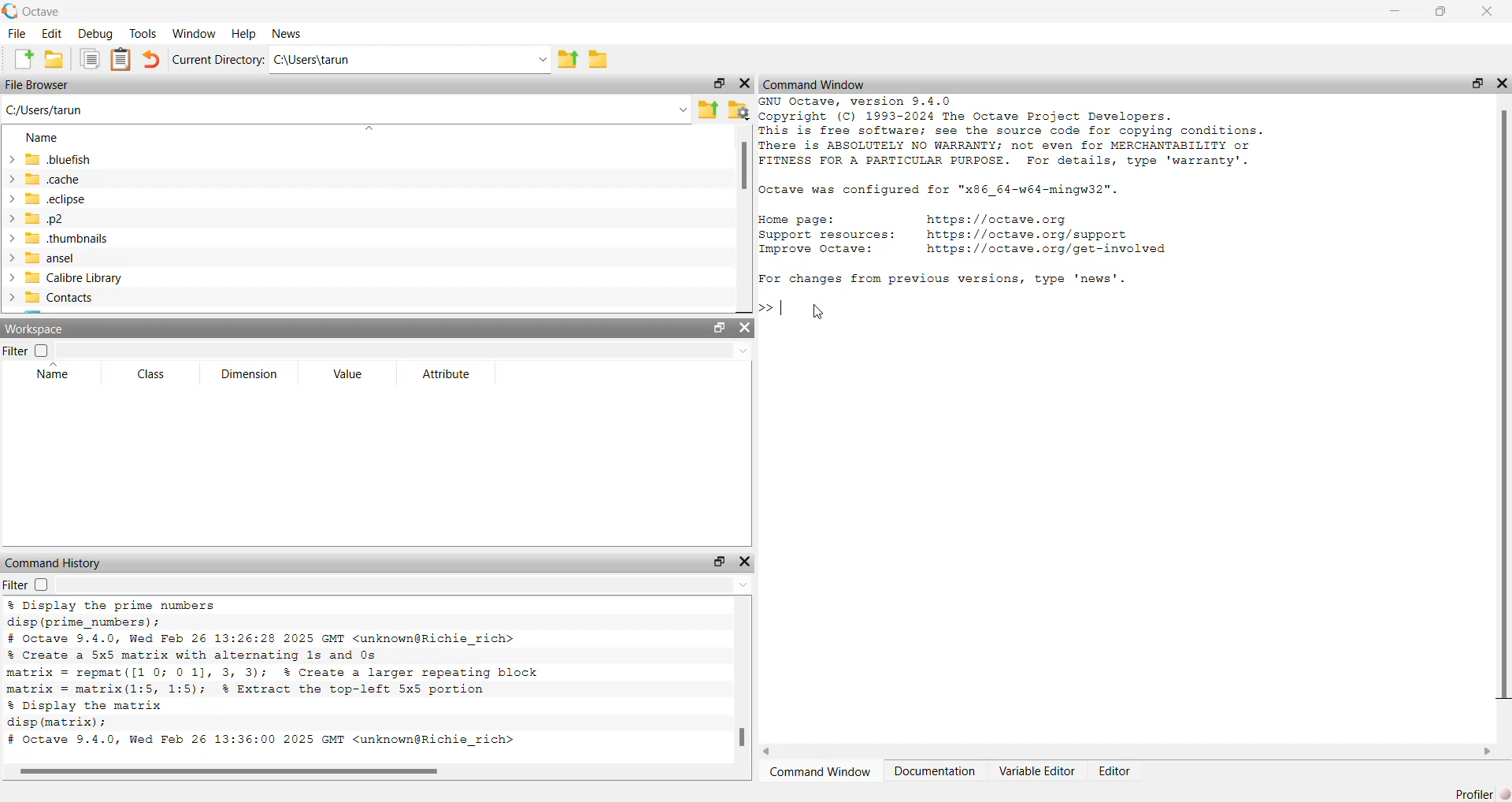 Image resolution: width=1512 pixels, height=802 pixels. I want to click on unlock widget, so click(716, 84).